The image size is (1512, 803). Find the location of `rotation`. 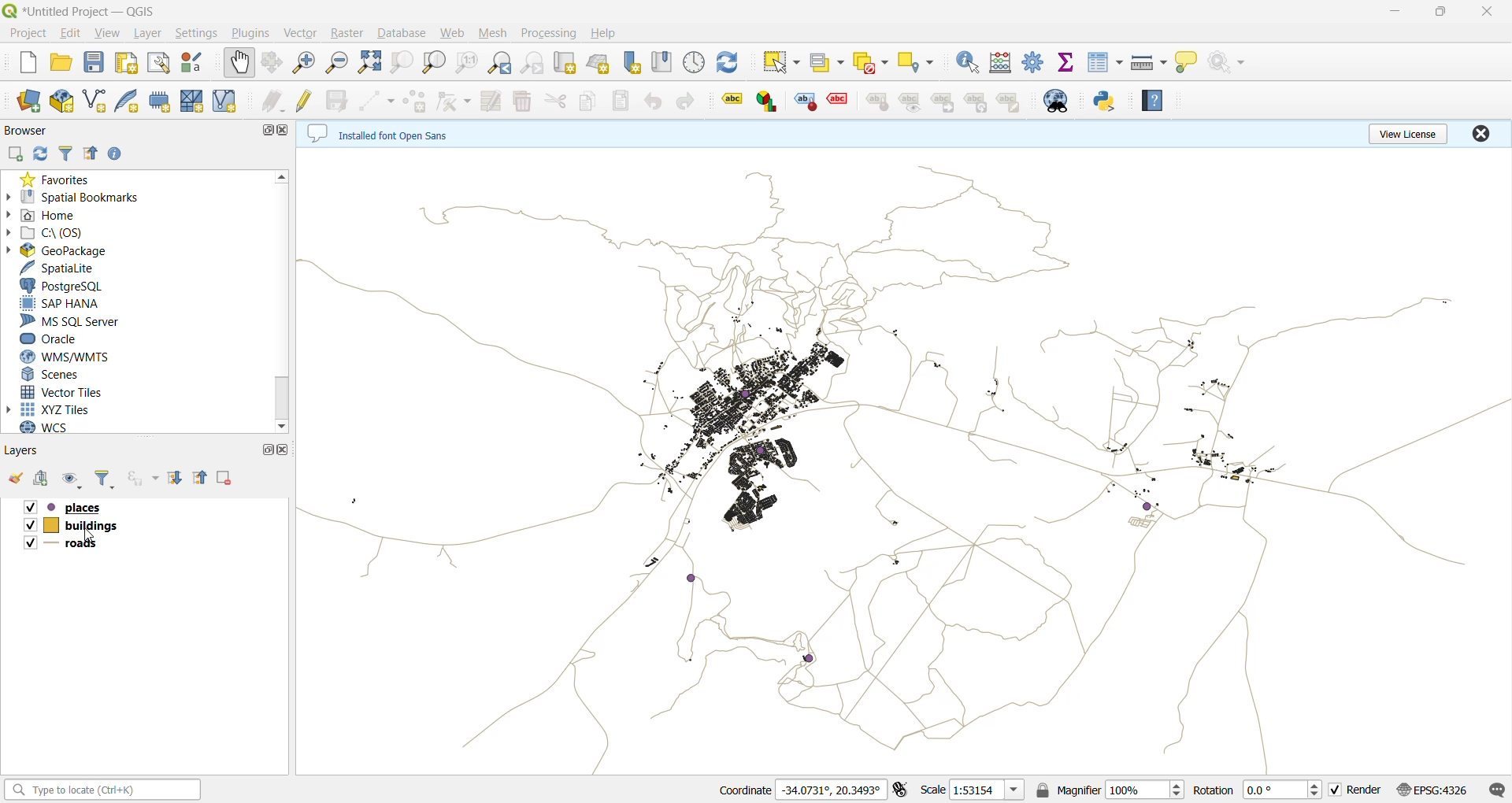

rotation is located at coordinates (1255, 790).